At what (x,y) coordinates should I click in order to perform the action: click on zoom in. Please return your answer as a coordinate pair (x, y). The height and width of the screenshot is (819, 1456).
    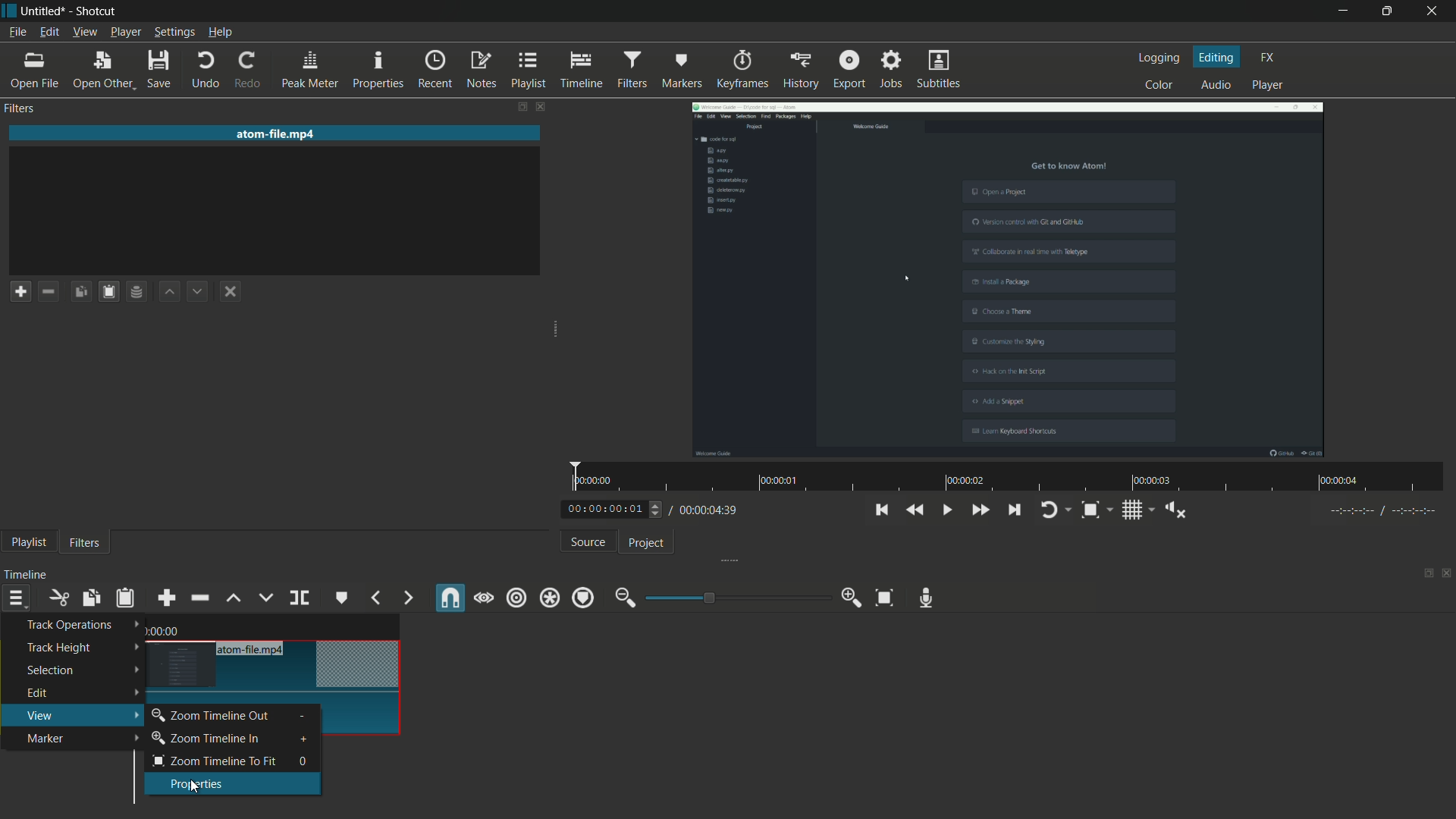
    Looking at the image, I should click on (854, 598).